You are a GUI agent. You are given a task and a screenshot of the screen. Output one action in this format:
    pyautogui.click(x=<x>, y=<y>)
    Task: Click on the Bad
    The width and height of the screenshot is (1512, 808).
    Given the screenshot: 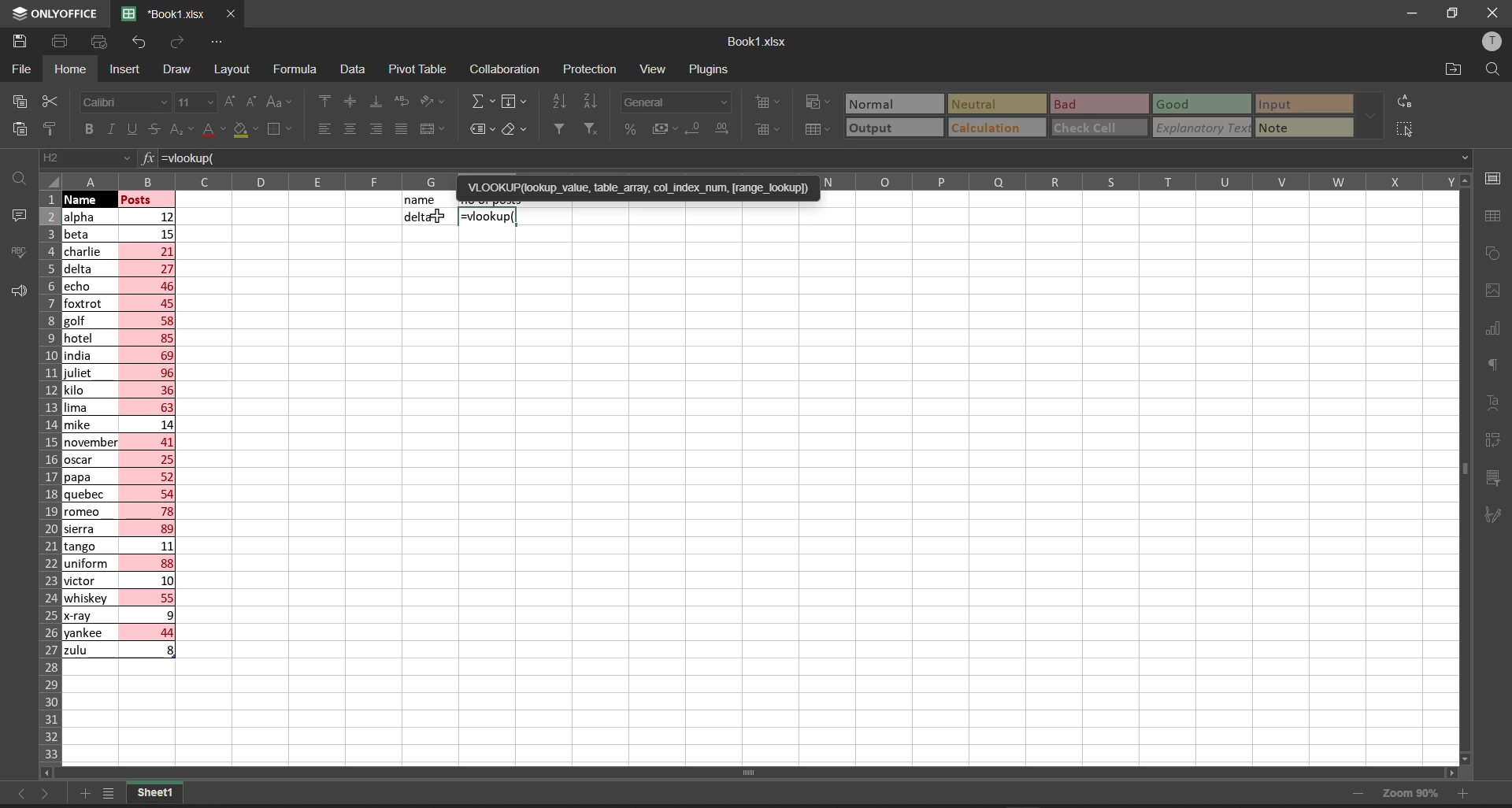 What is the action you would take?
    pyautogui.click(x=1070, y=104)
    